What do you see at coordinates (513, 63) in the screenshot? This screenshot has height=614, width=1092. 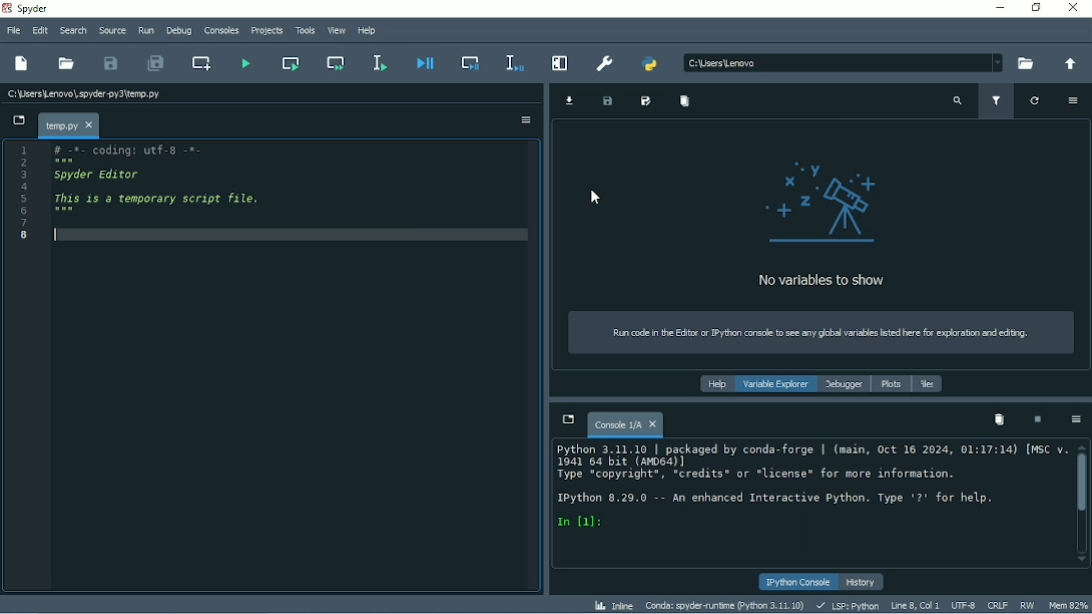 I see `Debug selection or current line` at bounding box center [513, 63].